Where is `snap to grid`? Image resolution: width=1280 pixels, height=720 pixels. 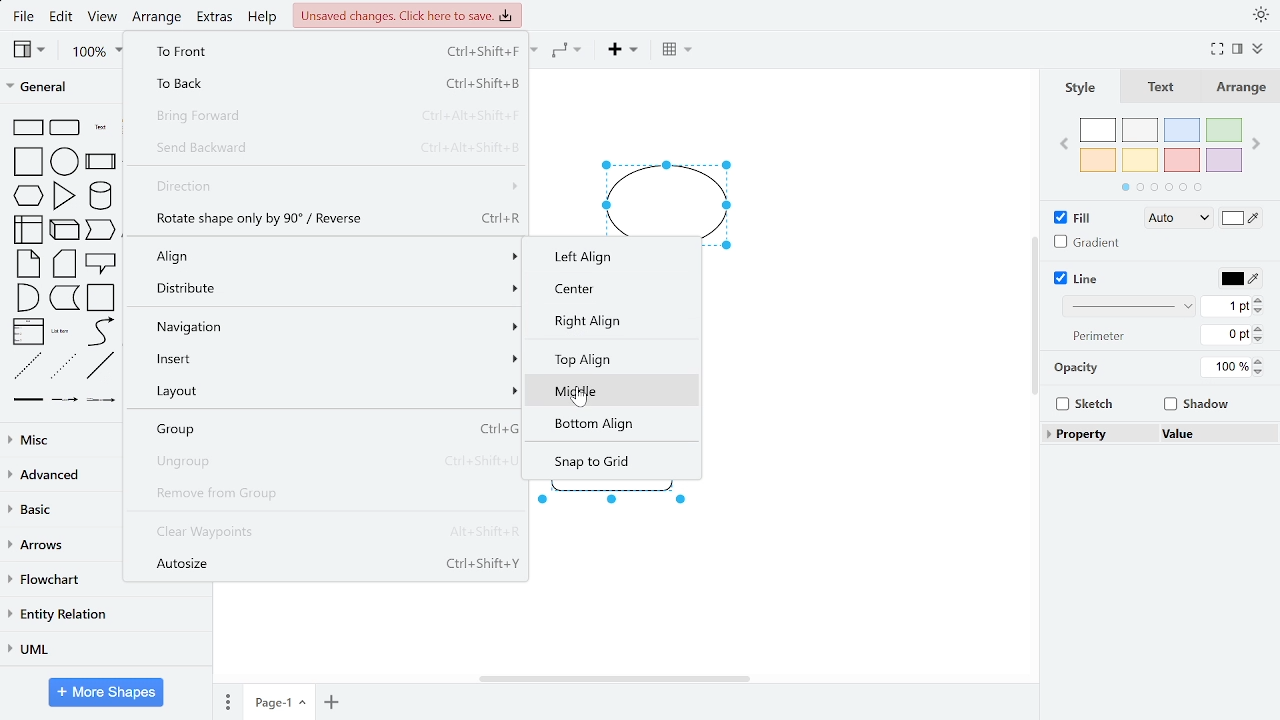
snap to grid is located at coordinates (612, 461).